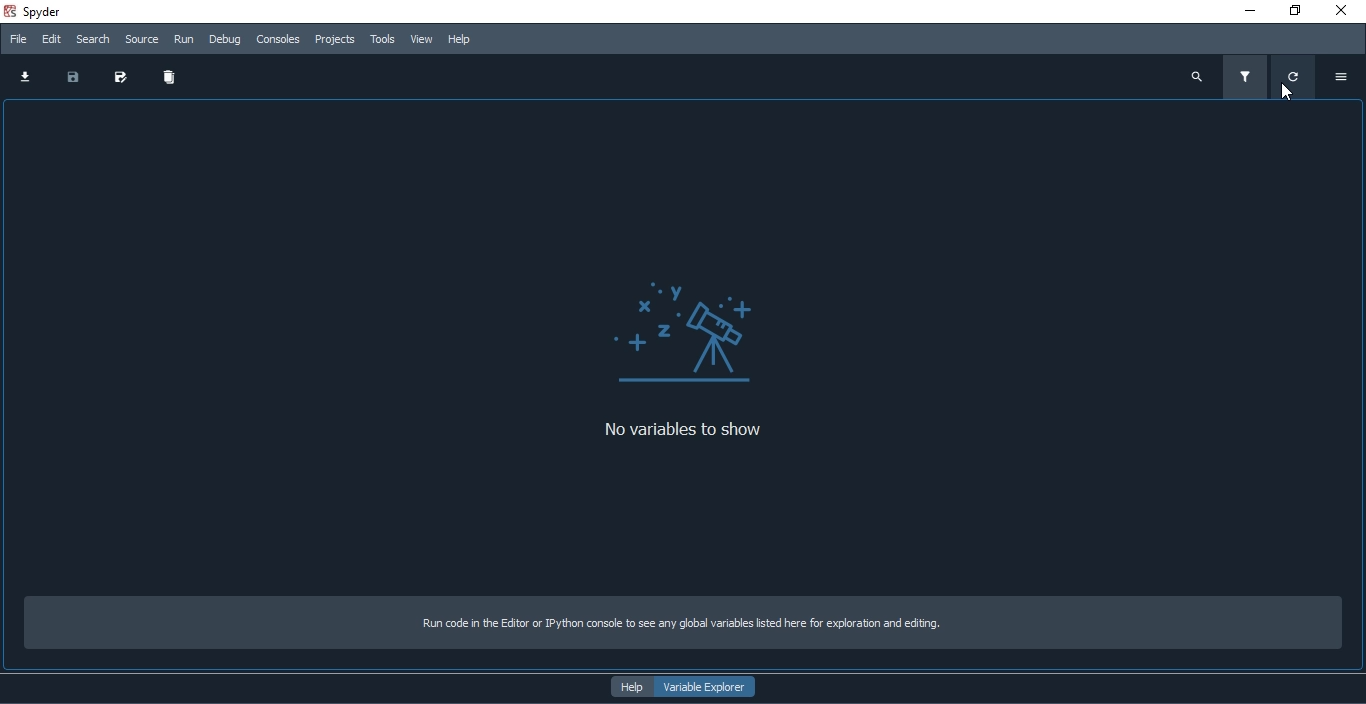 This screenshot has width=1366, height=704. I want to click on minimize, so click(1252, 12).